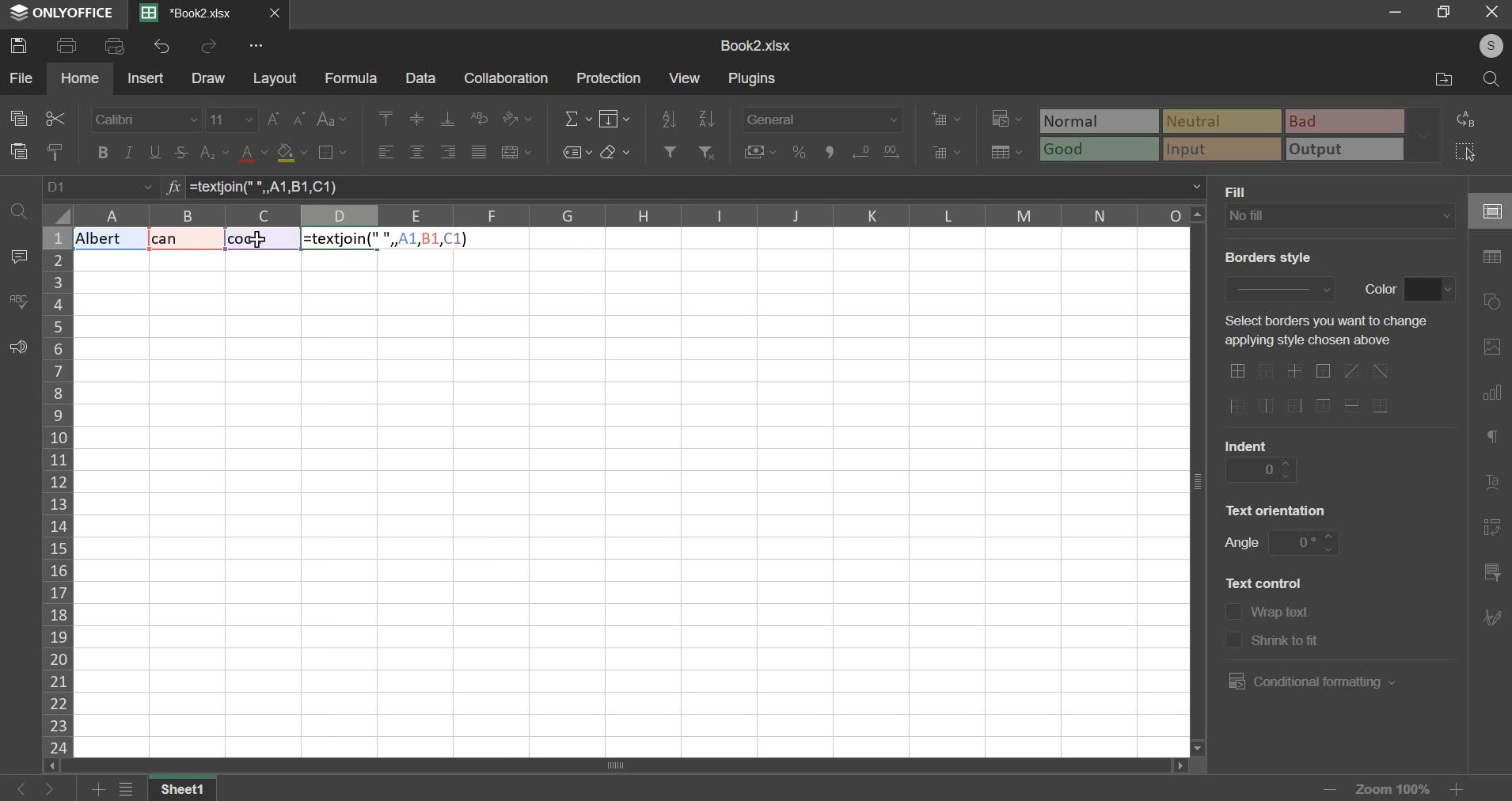  Describe the element at coordinates (947, 152) in the screenshot. I see `delete cells` at that location.